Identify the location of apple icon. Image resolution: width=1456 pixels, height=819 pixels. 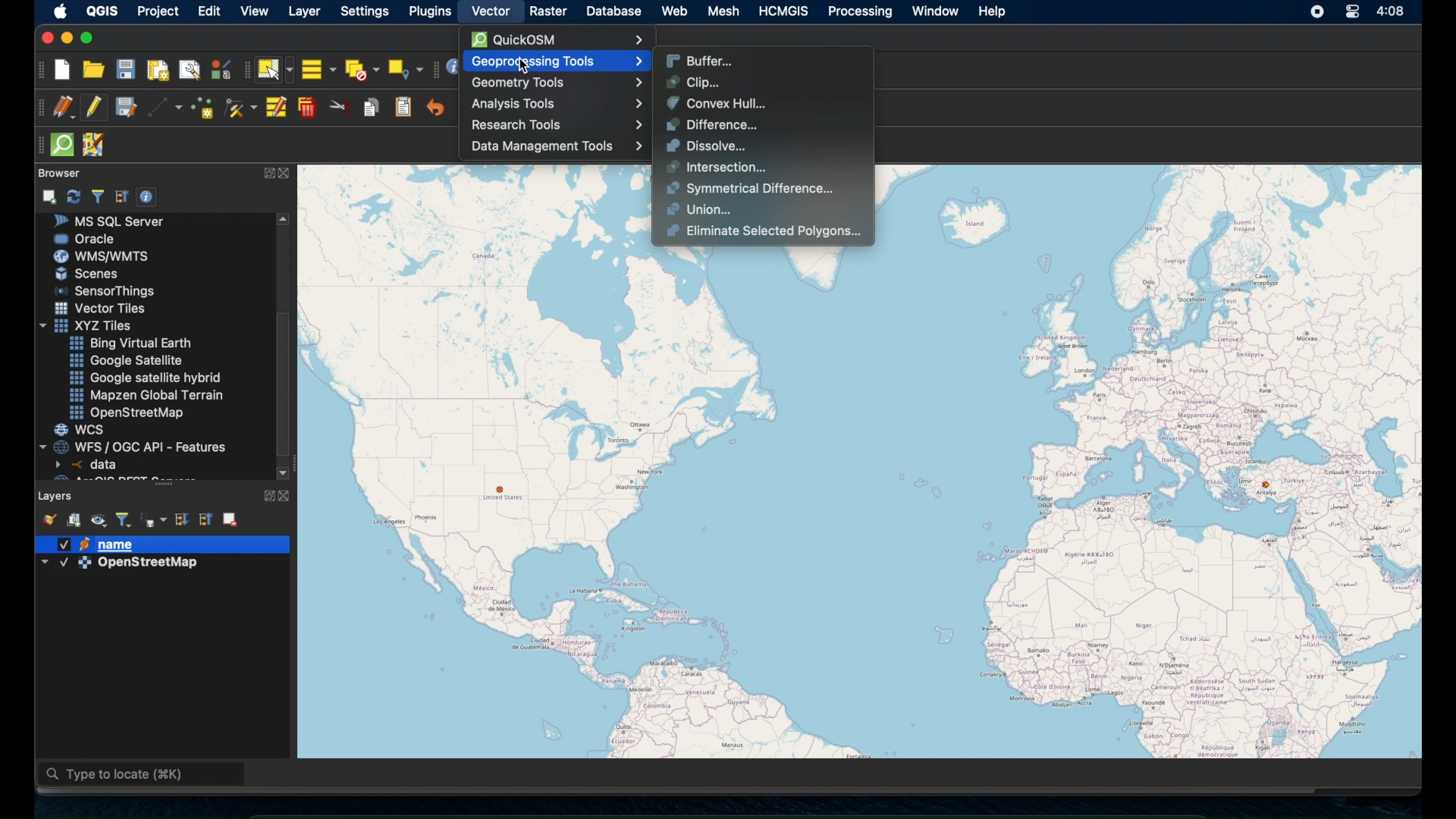
(58, 11).